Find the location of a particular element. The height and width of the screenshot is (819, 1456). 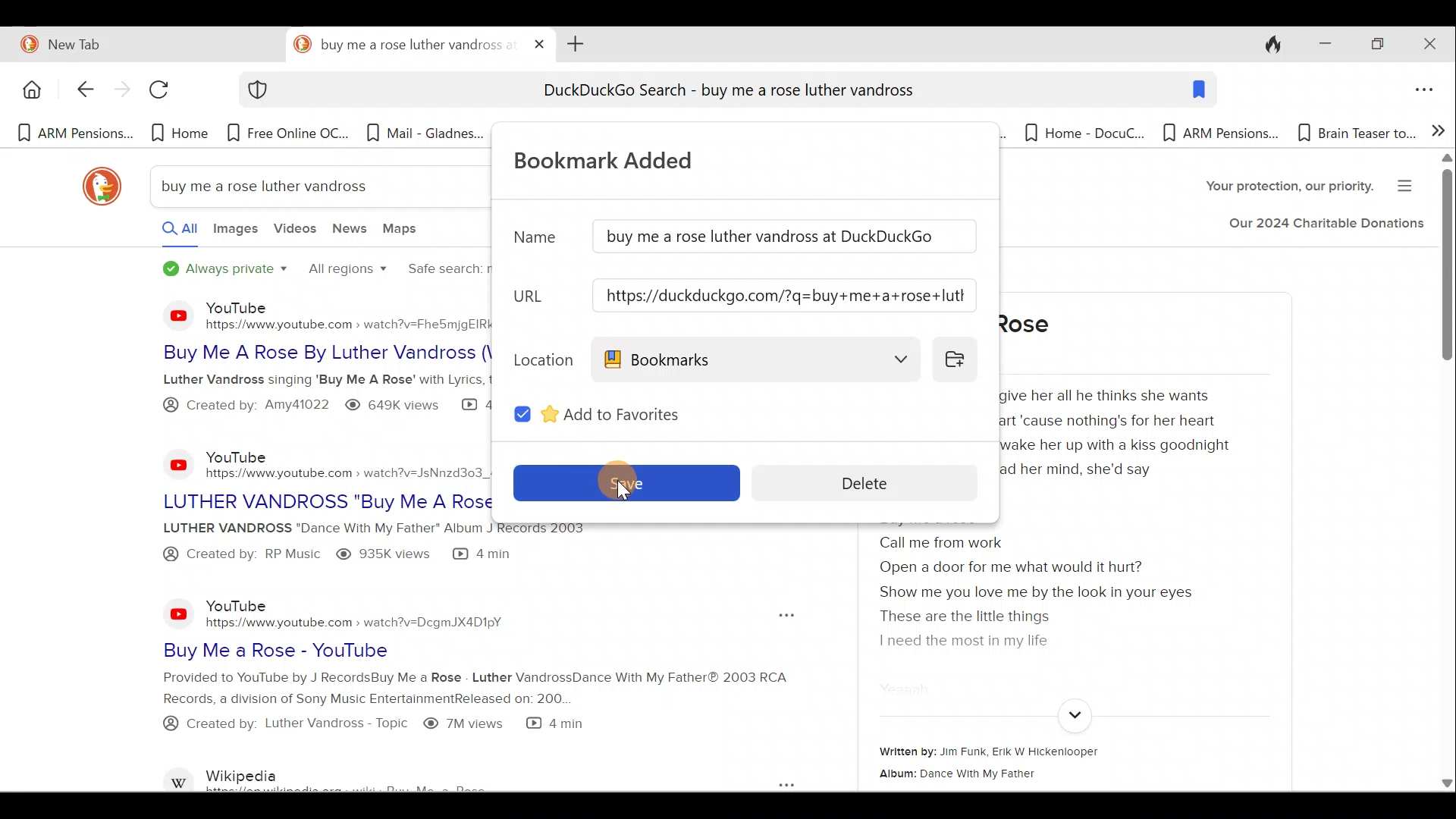

LUTHER VANDROSS "Dance With My Father" Album J Records 2003
@® Created by: RP Music ® 935K views (® 4 min is located at coordinates (313, 545).